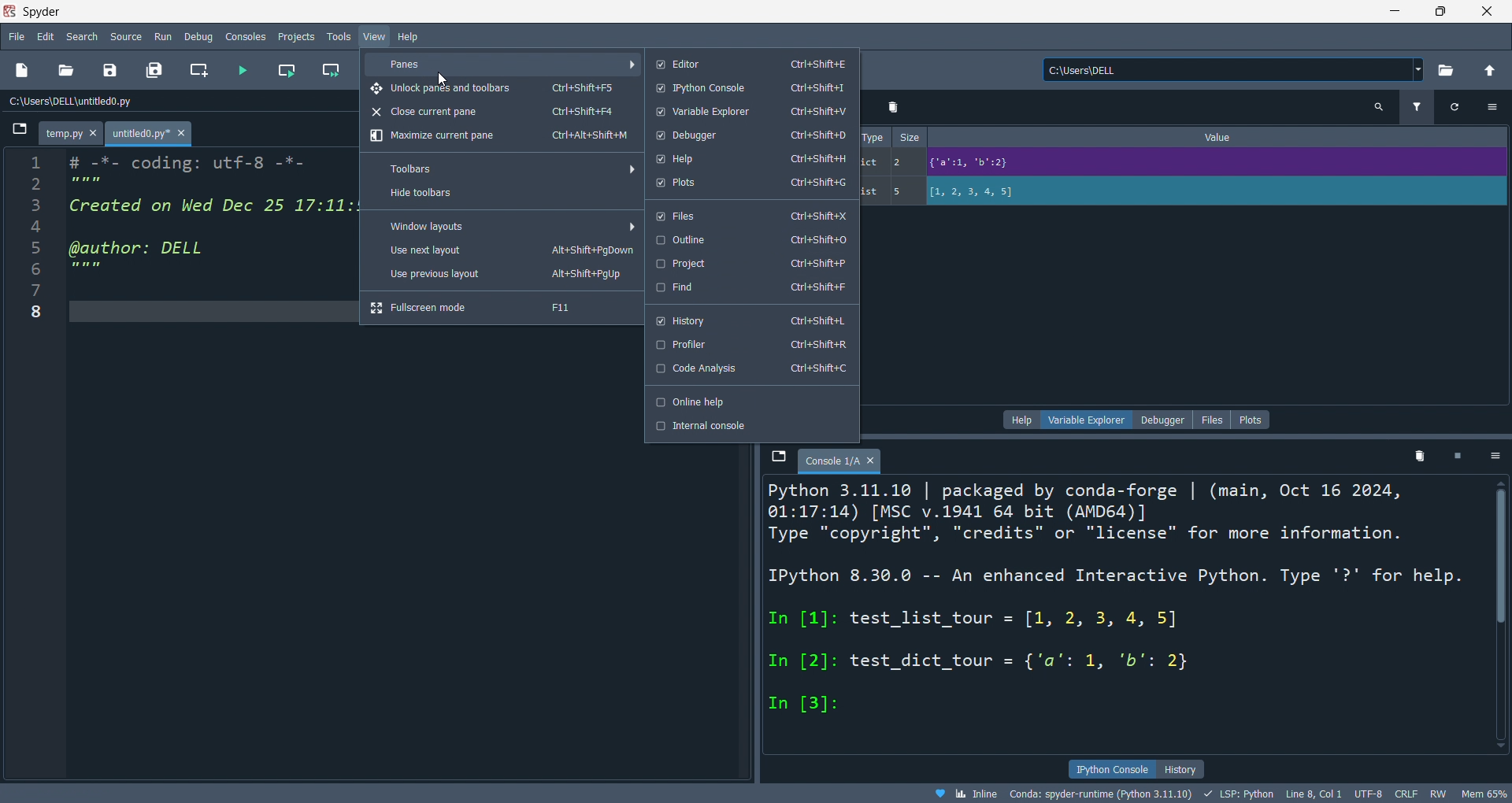 This screenshot has height=803, width=1512. I want to click on search, so click(1380, 109).